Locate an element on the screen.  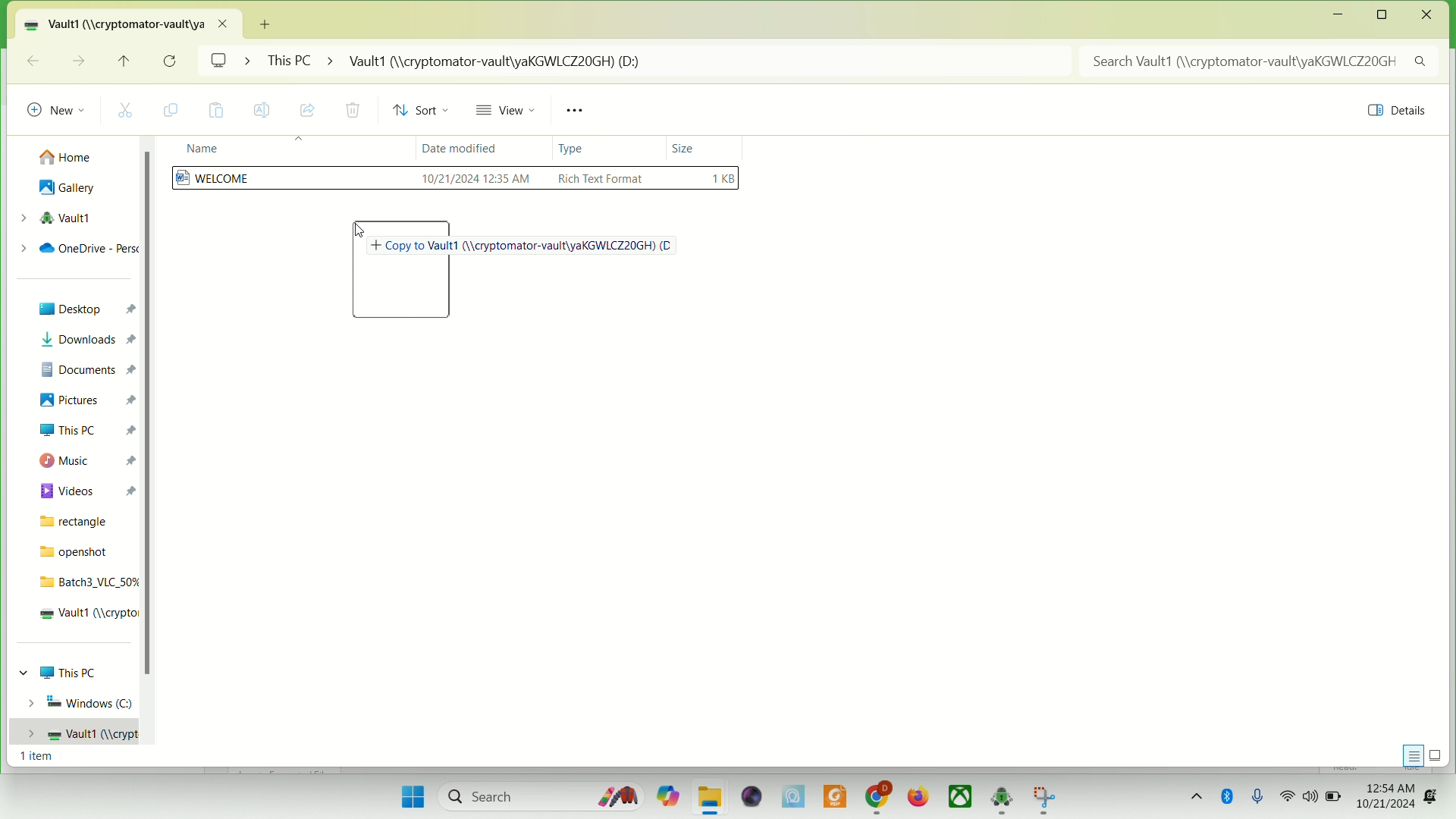
notification is located at coordinates (1432, 797).